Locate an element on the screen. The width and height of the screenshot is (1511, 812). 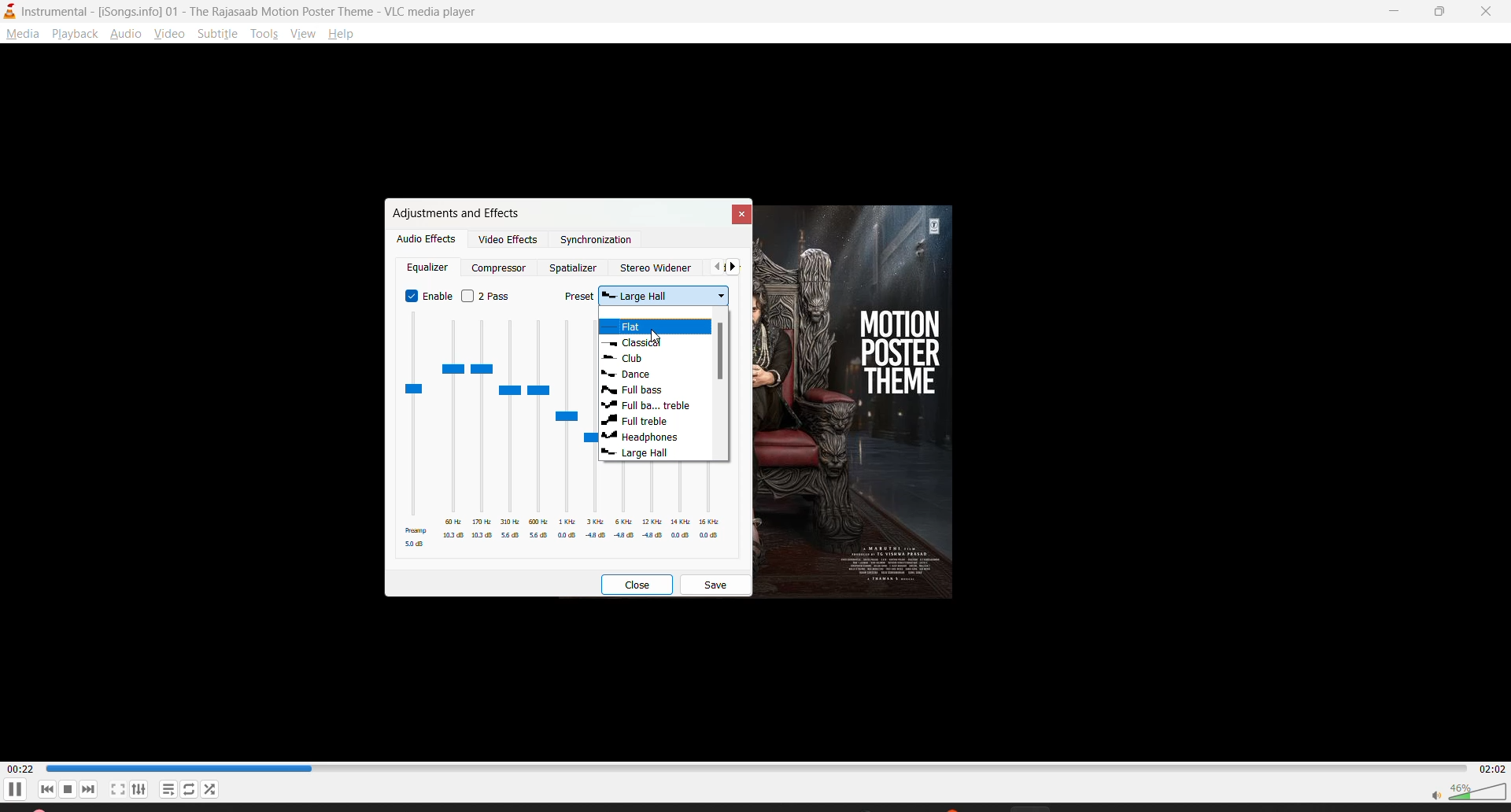
next is located at coordinates (737, 268).